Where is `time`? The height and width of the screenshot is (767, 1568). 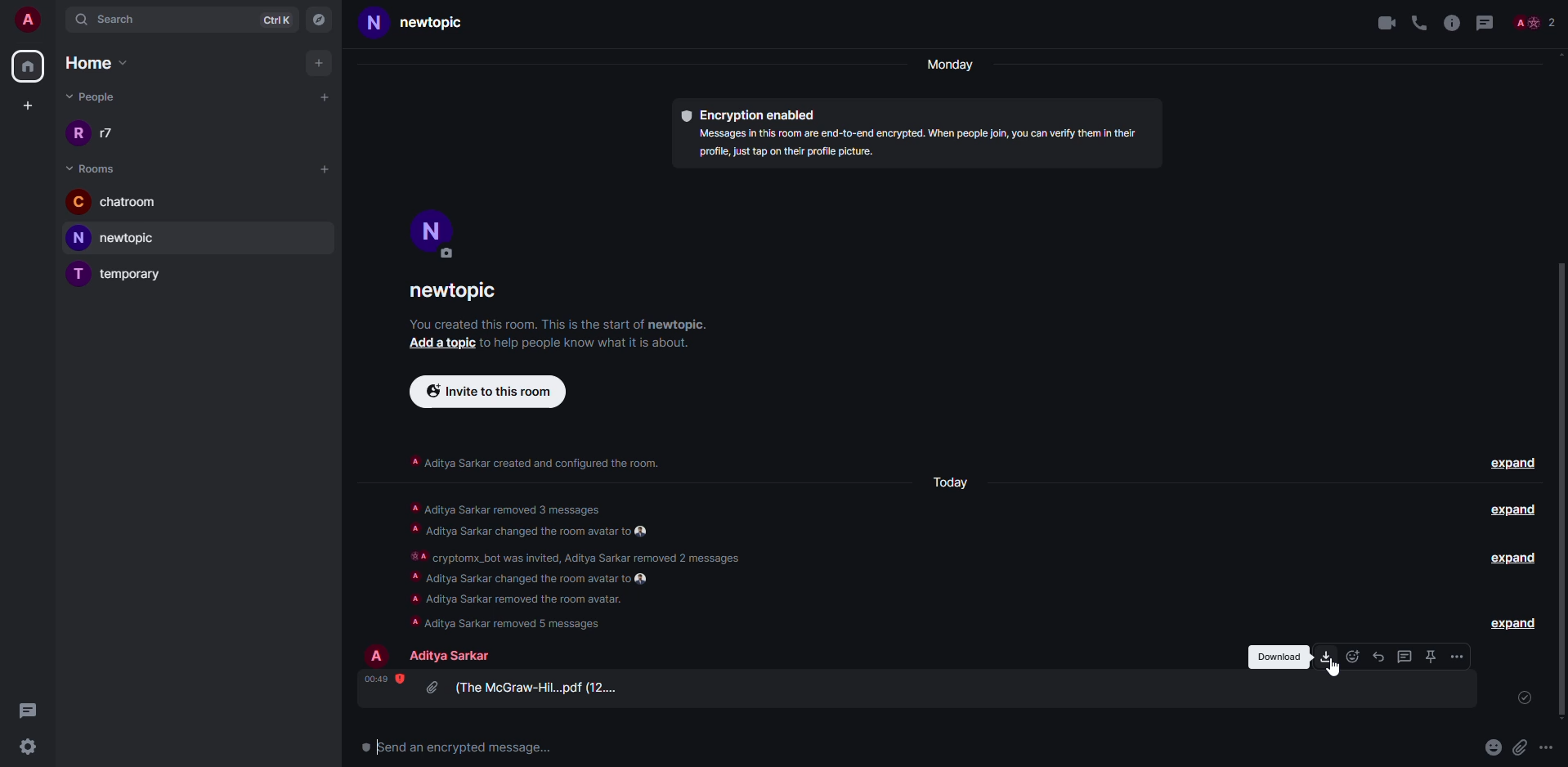 time is located at coordinates (384, 679).